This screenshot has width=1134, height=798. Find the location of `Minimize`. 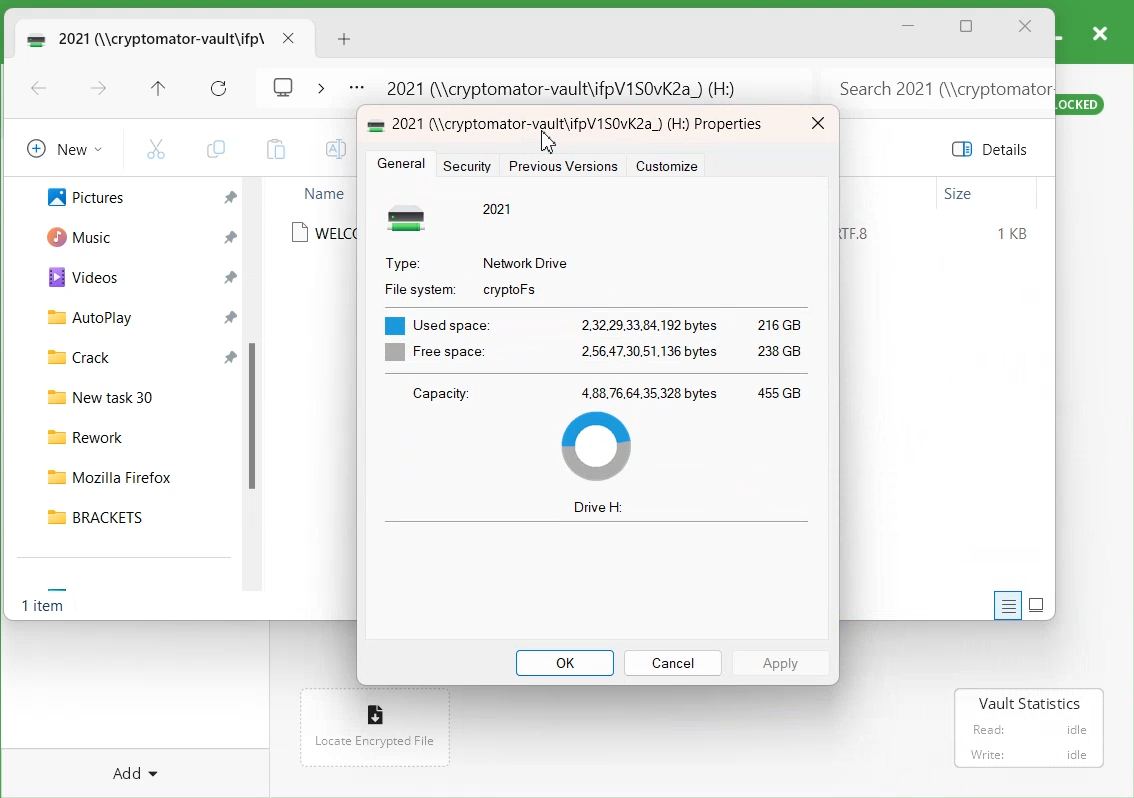

Minimize is located at coordinates (909, 26).